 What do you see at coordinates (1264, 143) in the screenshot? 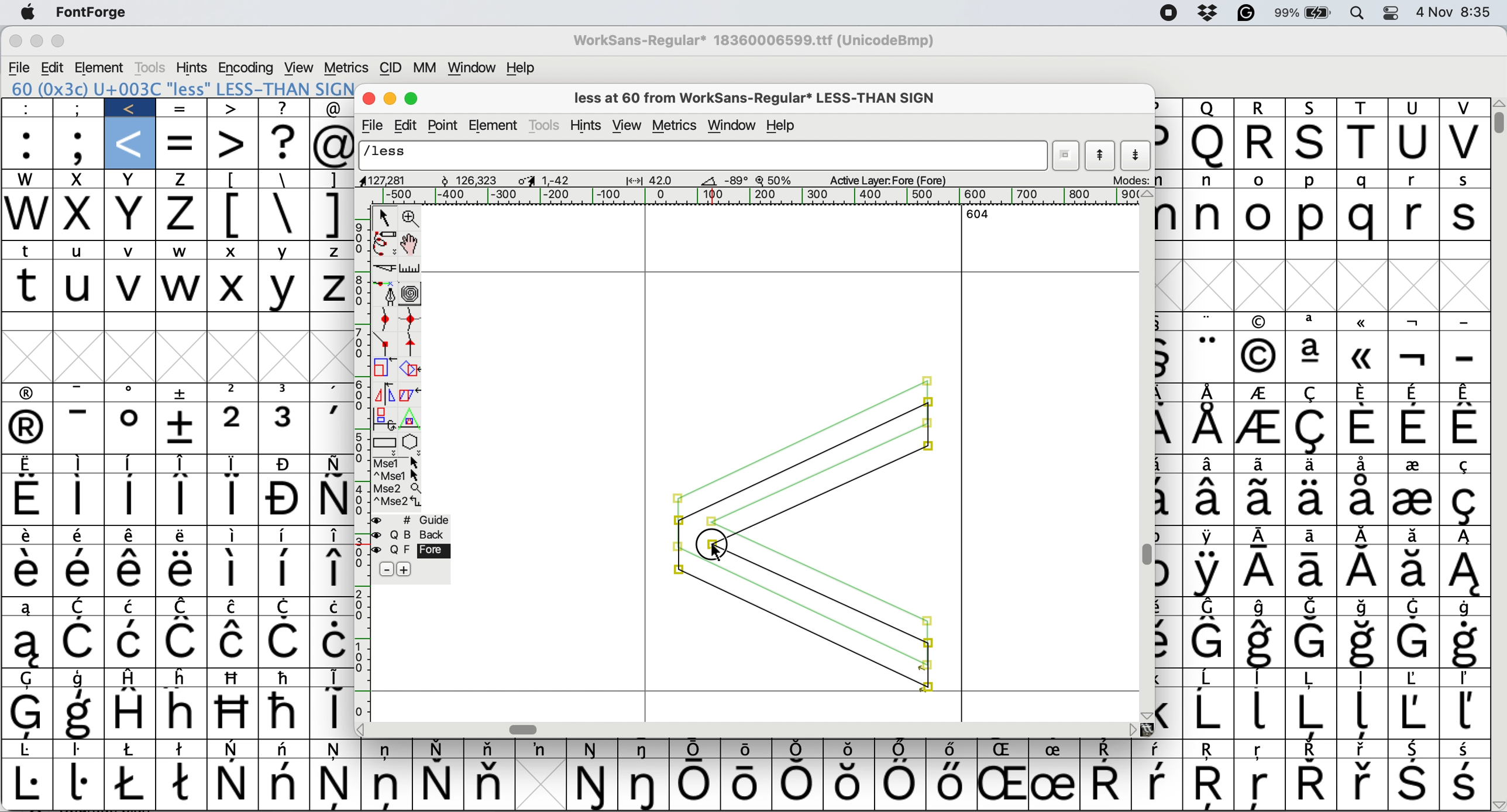
I see `r` at bounding box center [1264, 143].